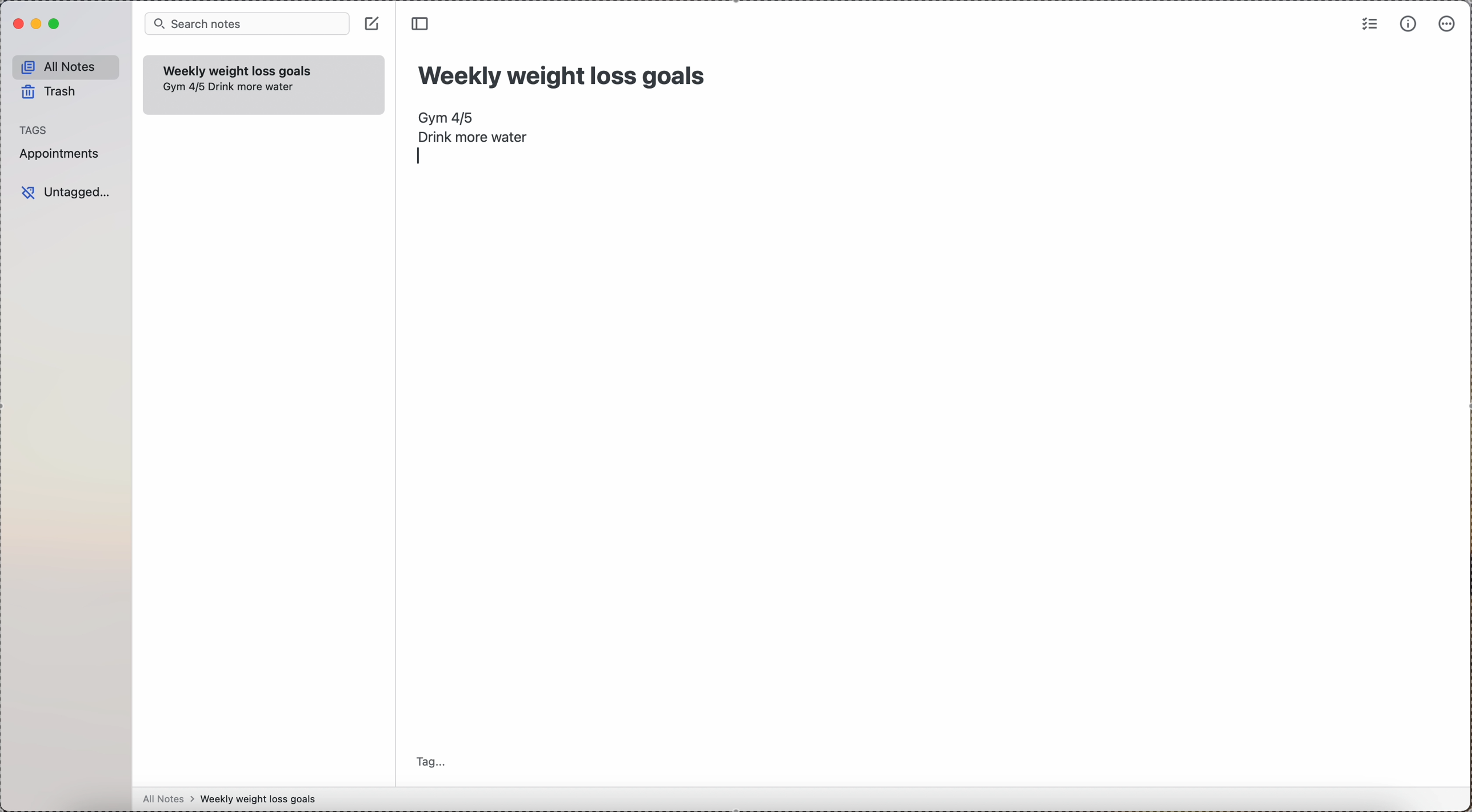 The image size is (1472, 812). Describe the element at coordinates (38, 23) in the screenshot. I see `minimize Simplenote` at that location.